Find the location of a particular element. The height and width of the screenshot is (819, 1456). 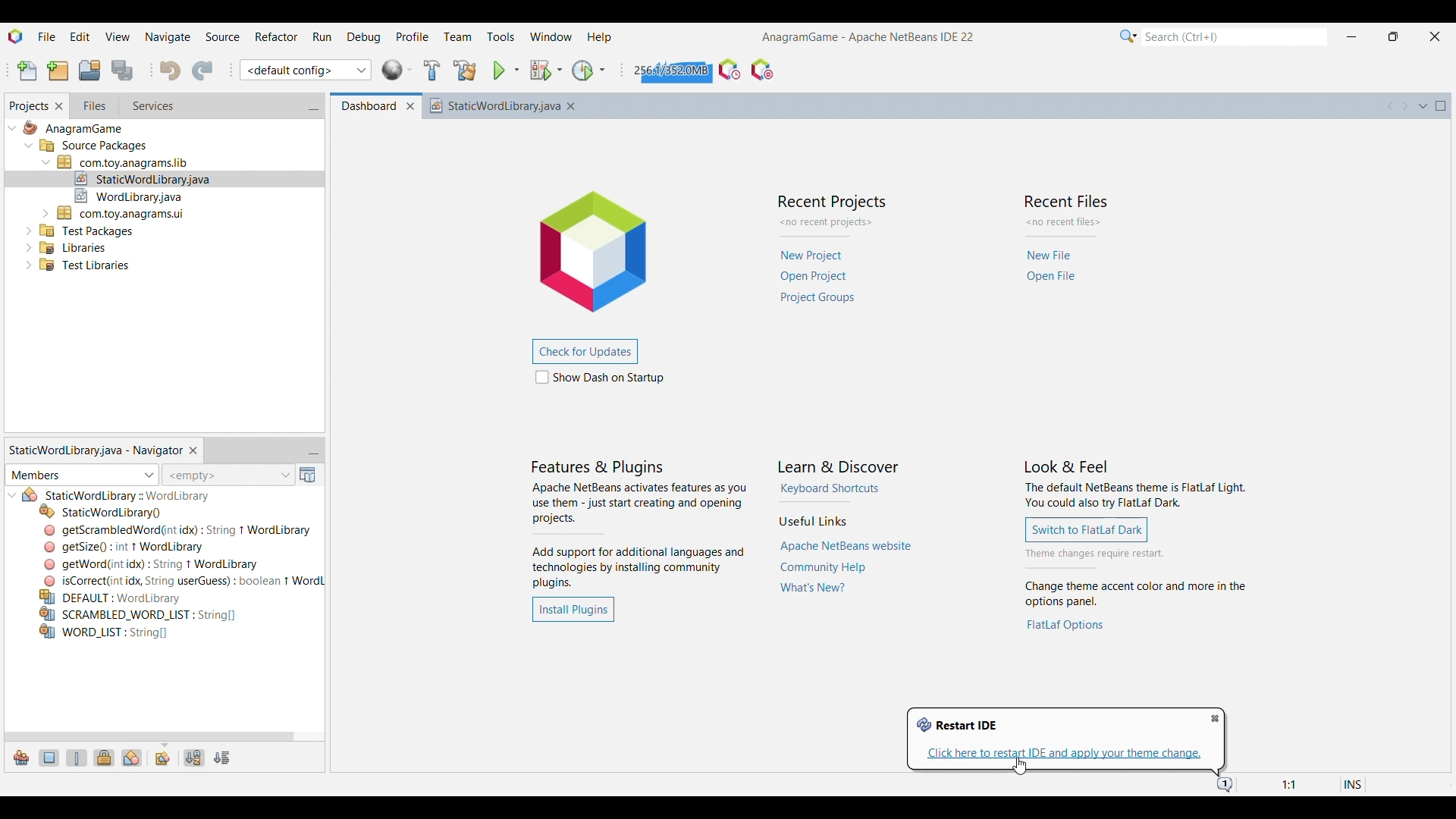

Double click to go to line or bookmark settings is located at coordinates (1303, 785).